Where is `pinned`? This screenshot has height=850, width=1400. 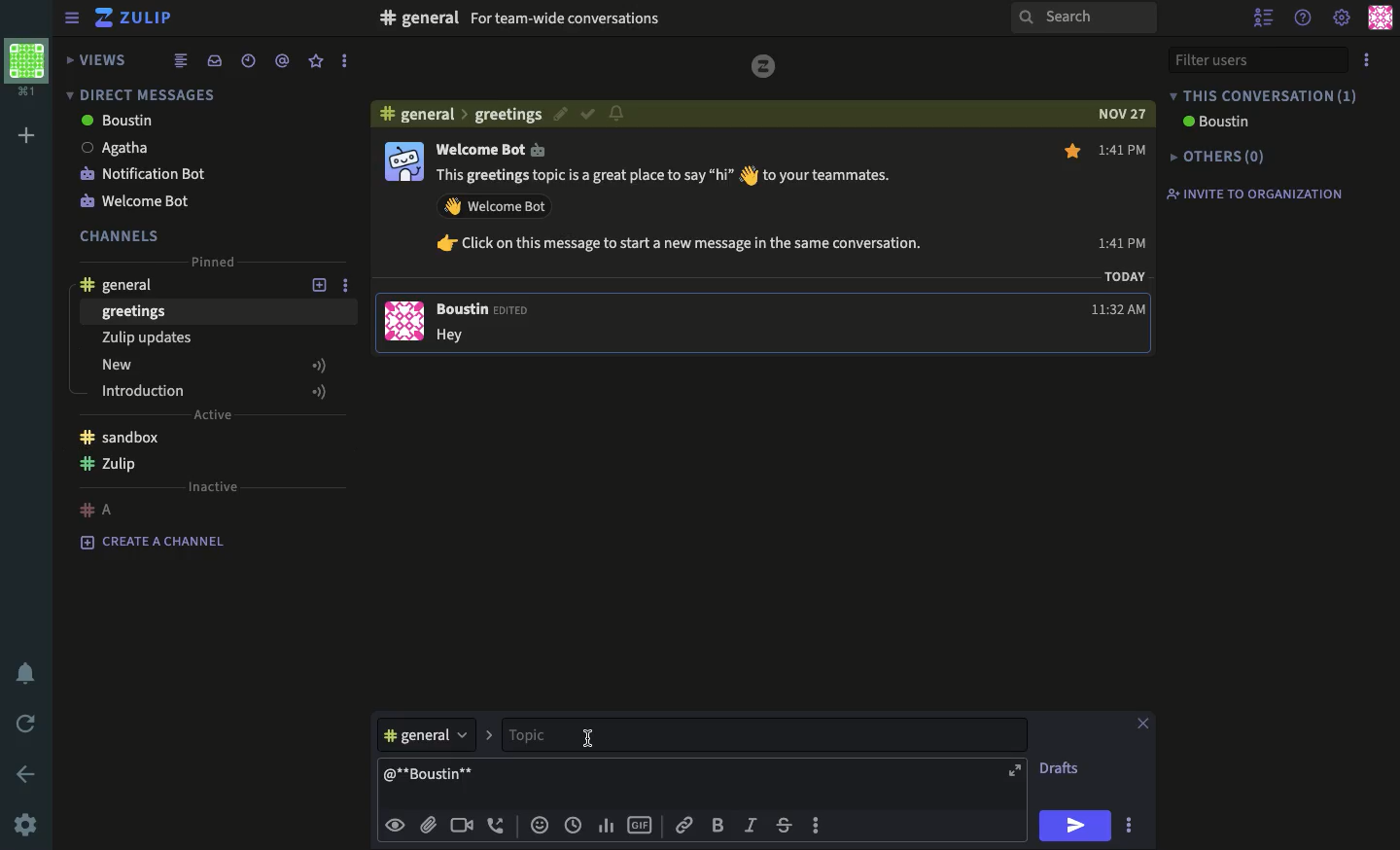 pinned is located at coordinates (209, 261).